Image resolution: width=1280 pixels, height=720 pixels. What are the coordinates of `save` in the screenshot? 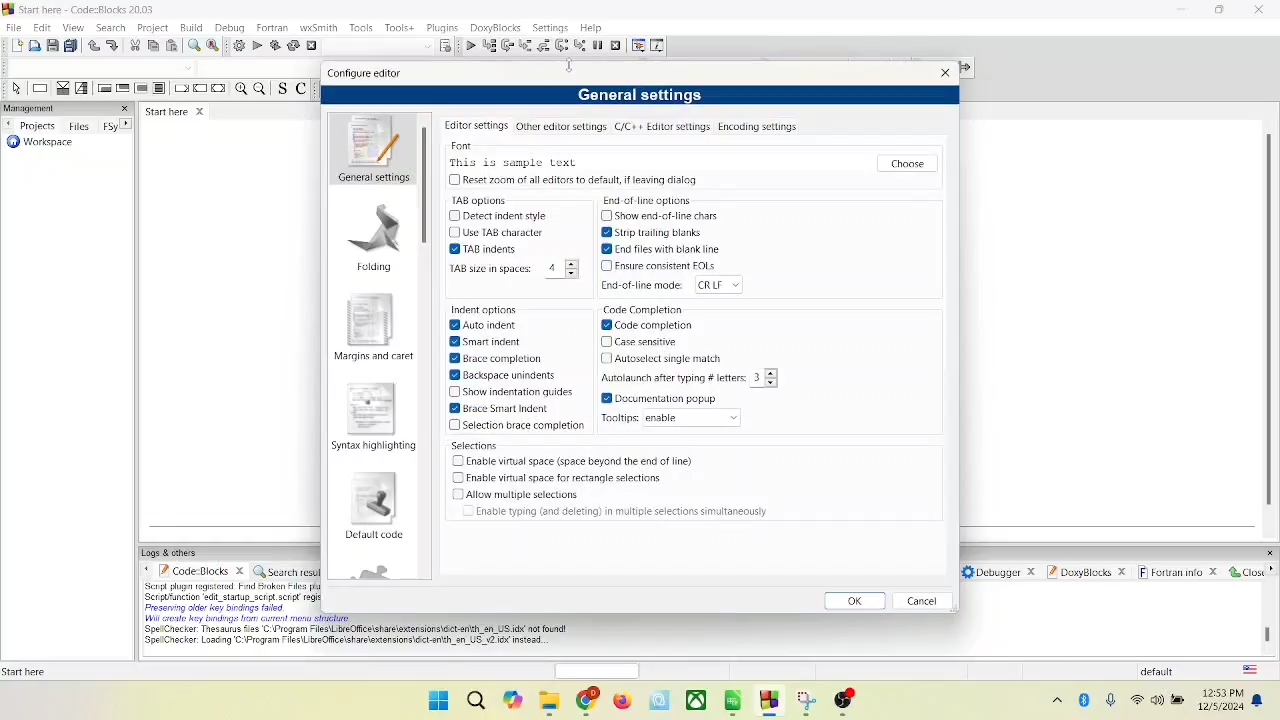 It's located at (51, 46).